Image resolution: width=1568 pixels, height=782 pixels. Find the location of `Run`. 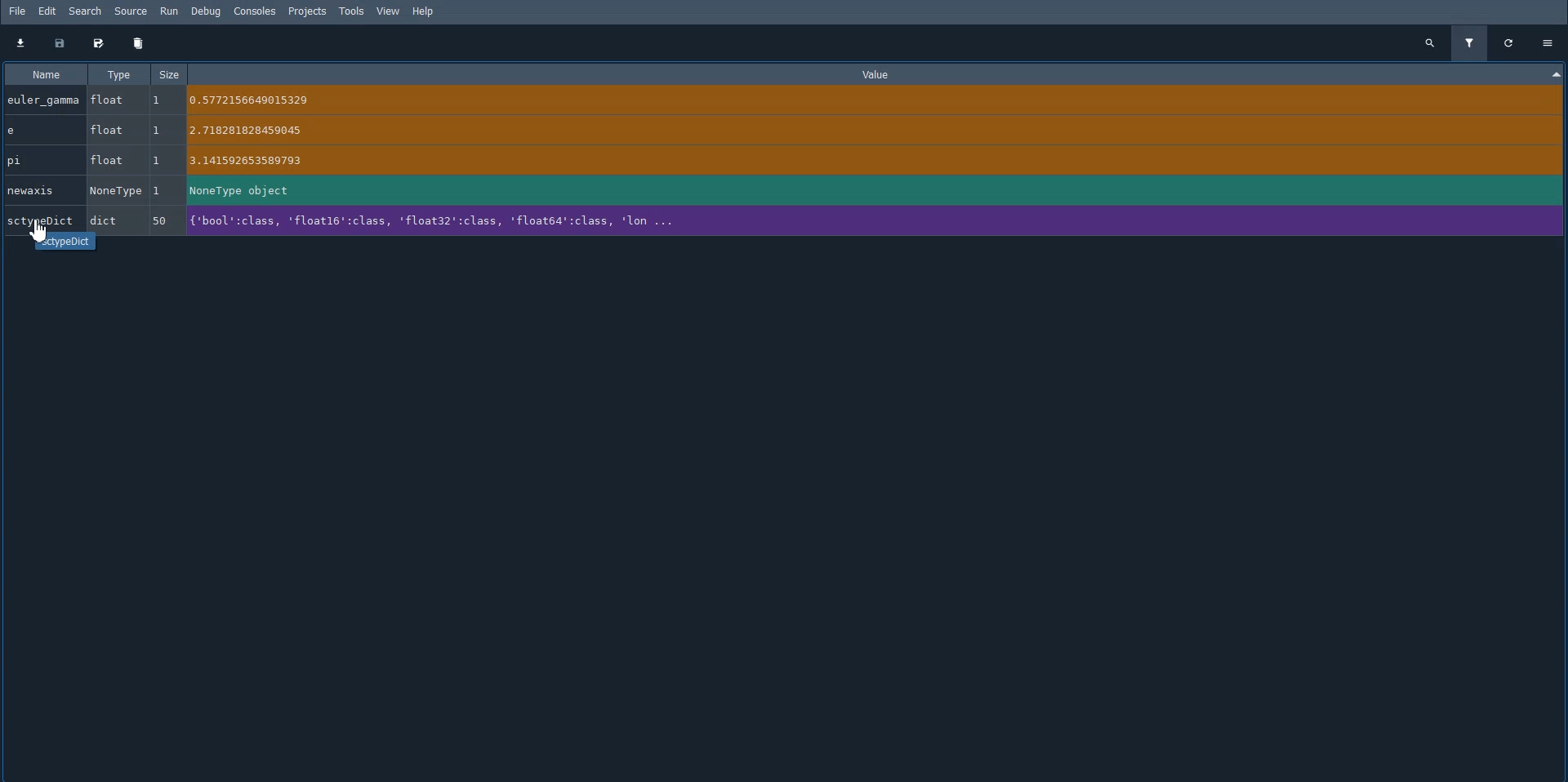

Run is located at coordinates (171, 11).